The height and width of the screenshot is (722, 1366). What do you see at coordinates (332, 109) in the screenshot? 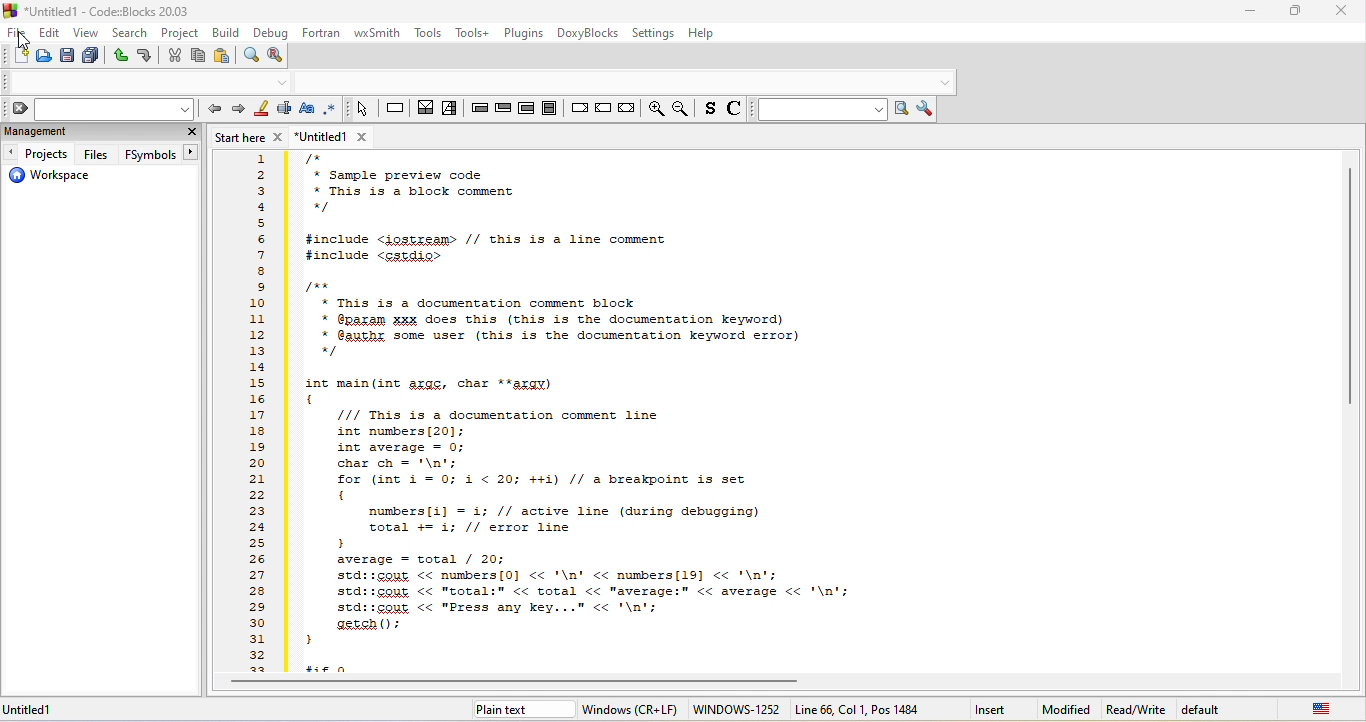
I see `use regex` at bounding box center [332, 109].